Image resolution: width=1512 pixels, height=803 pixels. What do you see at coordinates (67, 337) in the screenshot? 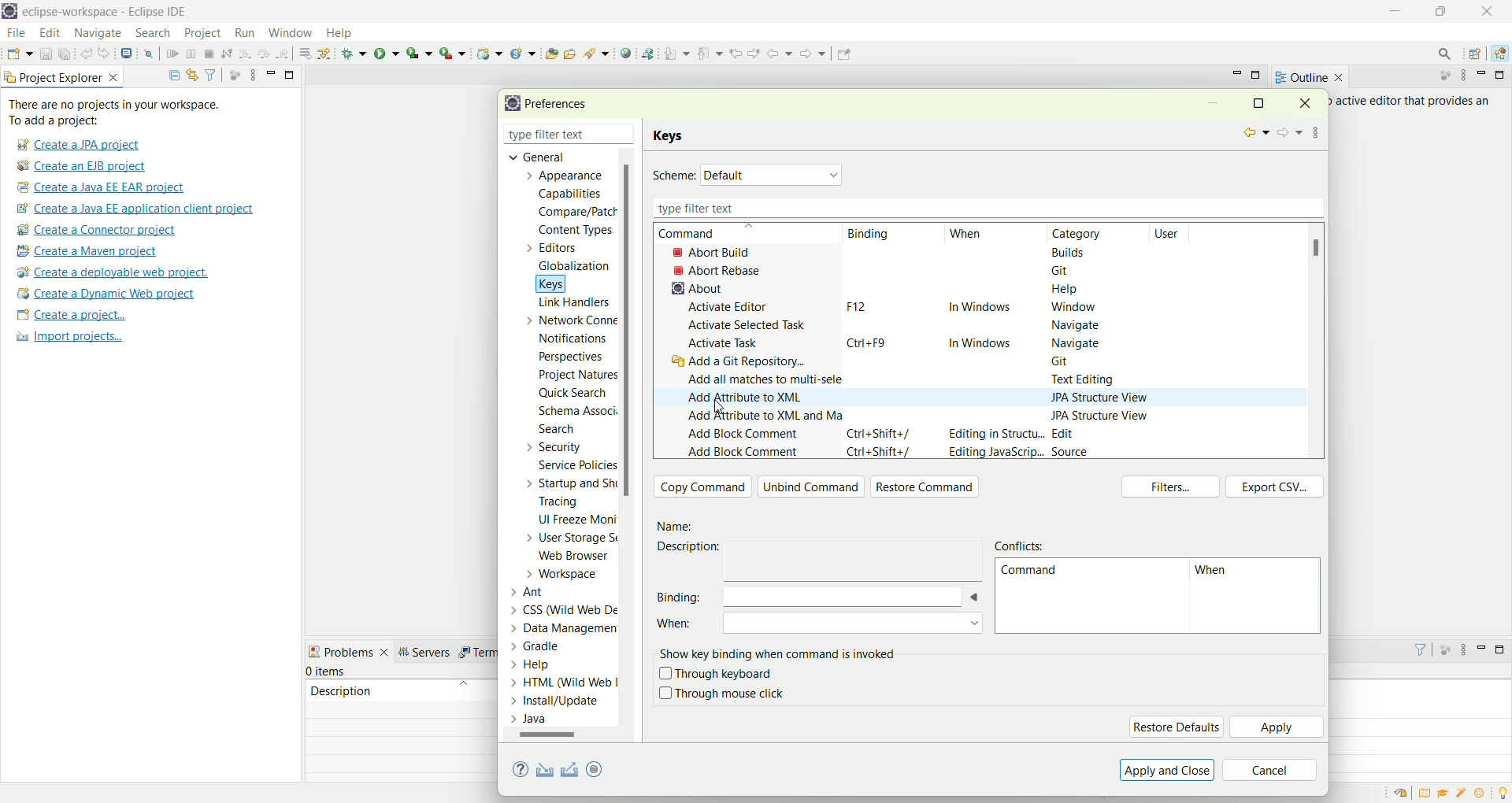
I see `import projects` at bounding box center [67, 337].